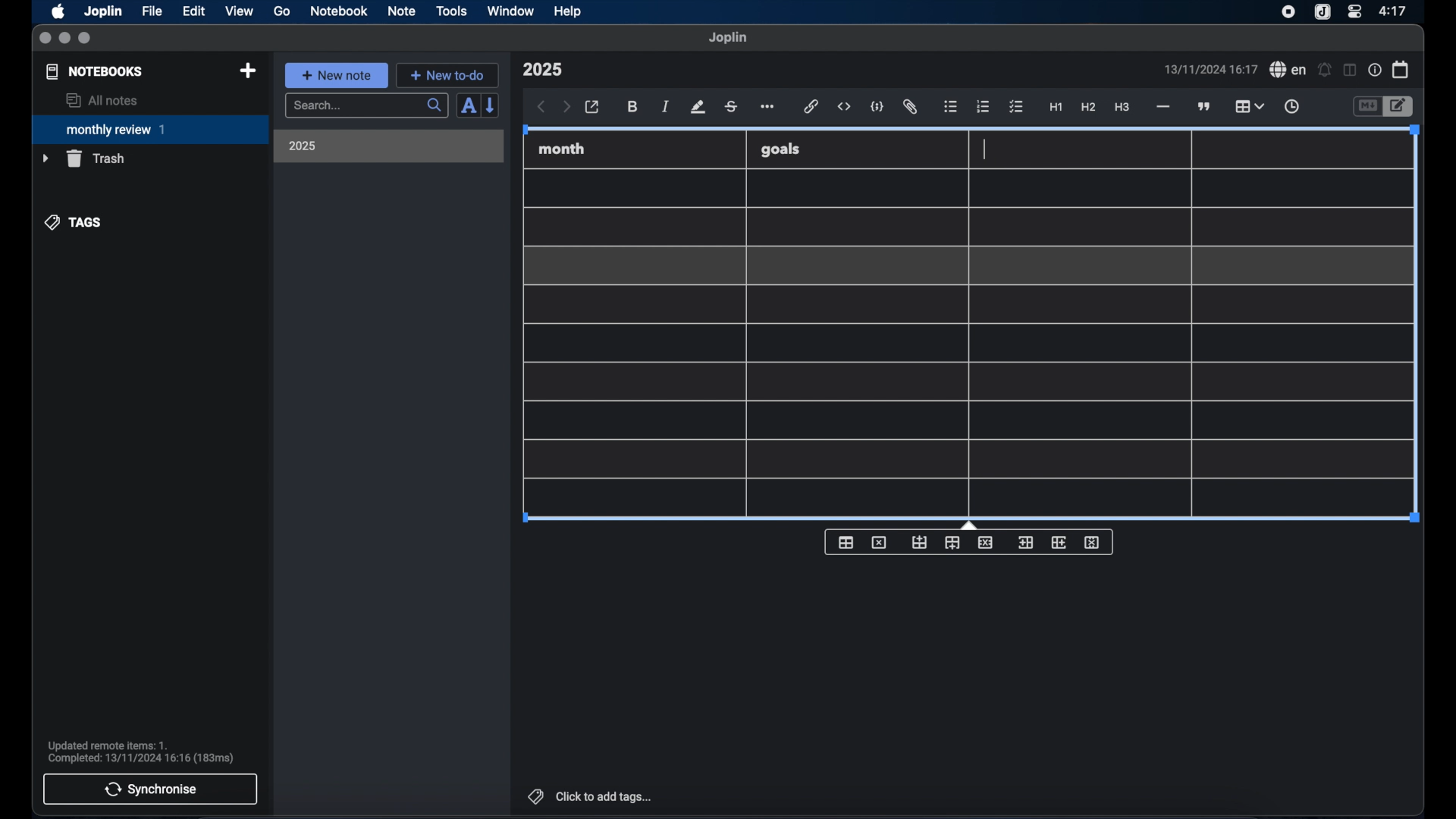  What do you see at coordinates (1291, 107) in the screenshot?
I see `insert time` at bounding box center [1291, 107].